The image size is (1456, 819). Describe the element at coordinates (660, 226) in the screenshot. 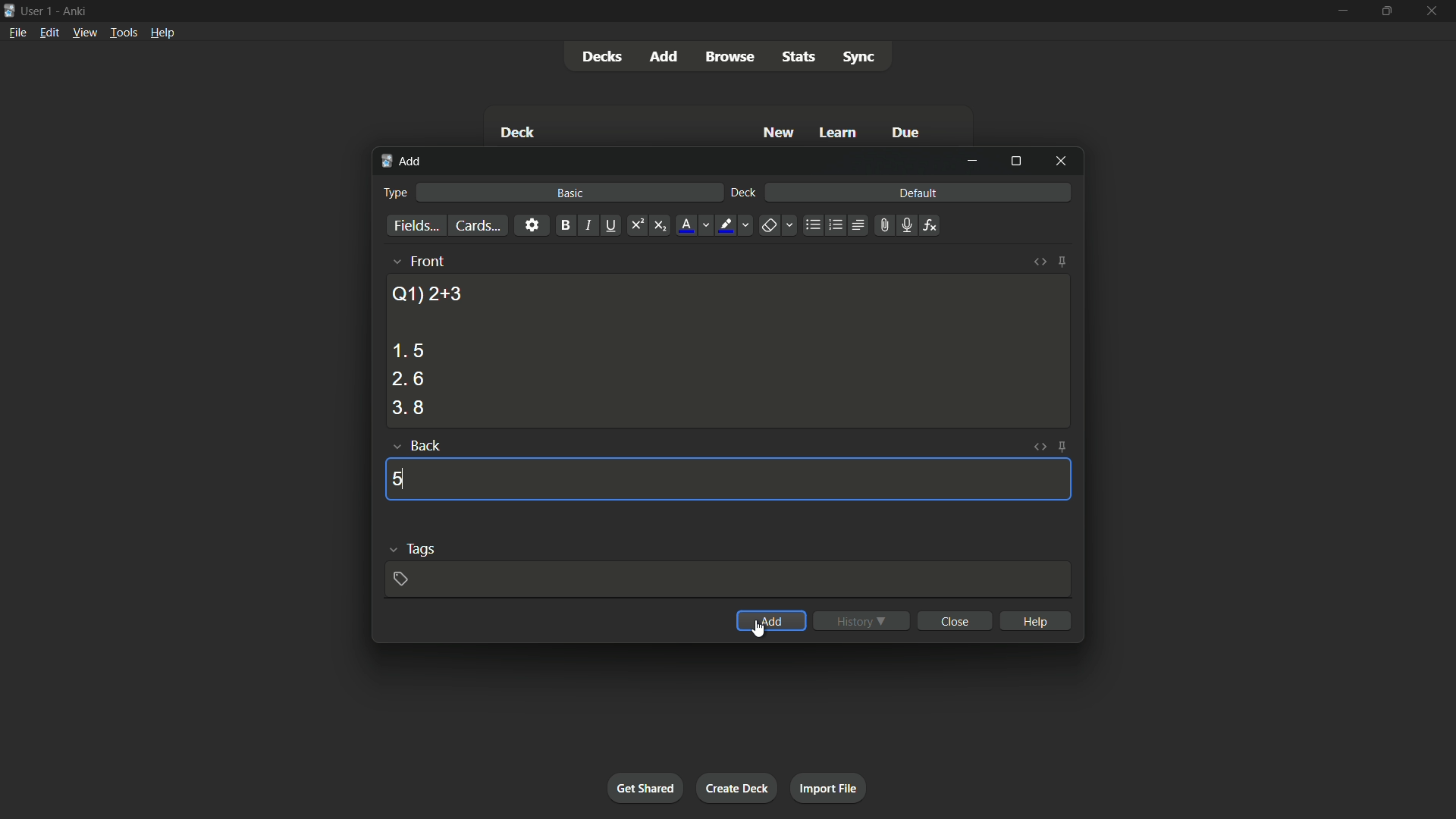

I see `subscript` at that location.